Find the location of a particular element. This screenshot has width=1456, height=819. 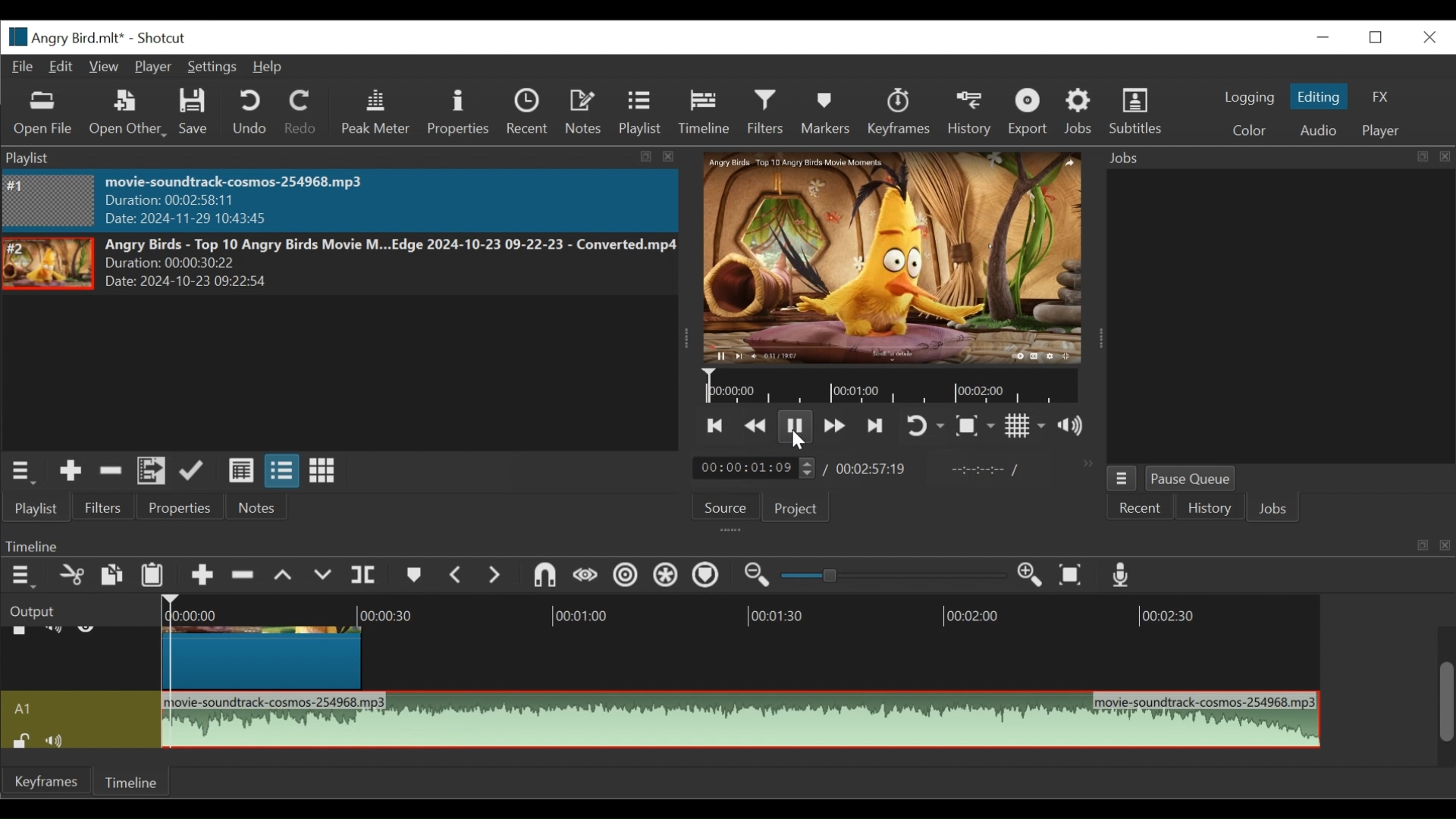

Notes is located at coordinates (582, 111).